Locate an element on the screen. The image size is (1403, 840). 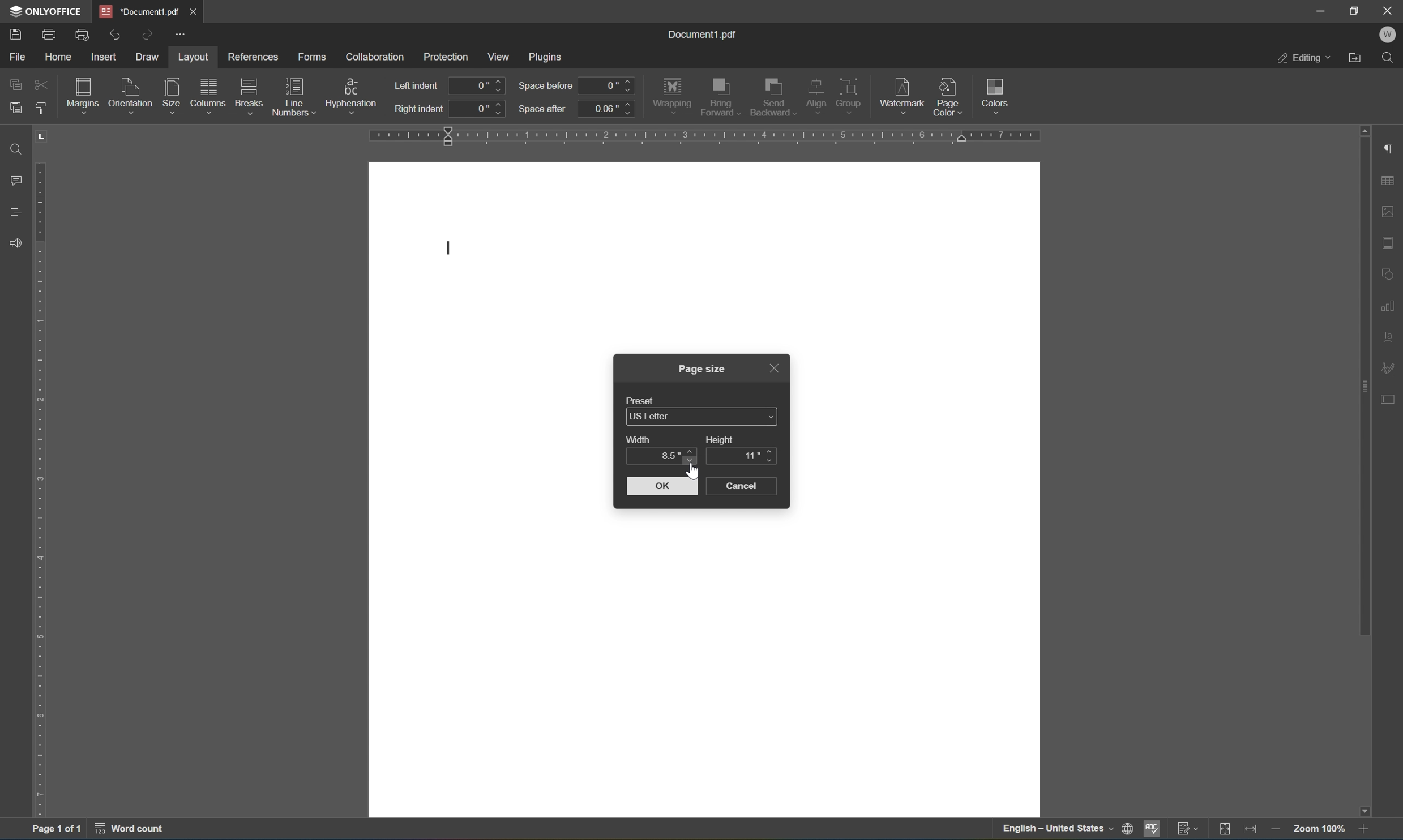
page colors is located at coordinates (947, 96).